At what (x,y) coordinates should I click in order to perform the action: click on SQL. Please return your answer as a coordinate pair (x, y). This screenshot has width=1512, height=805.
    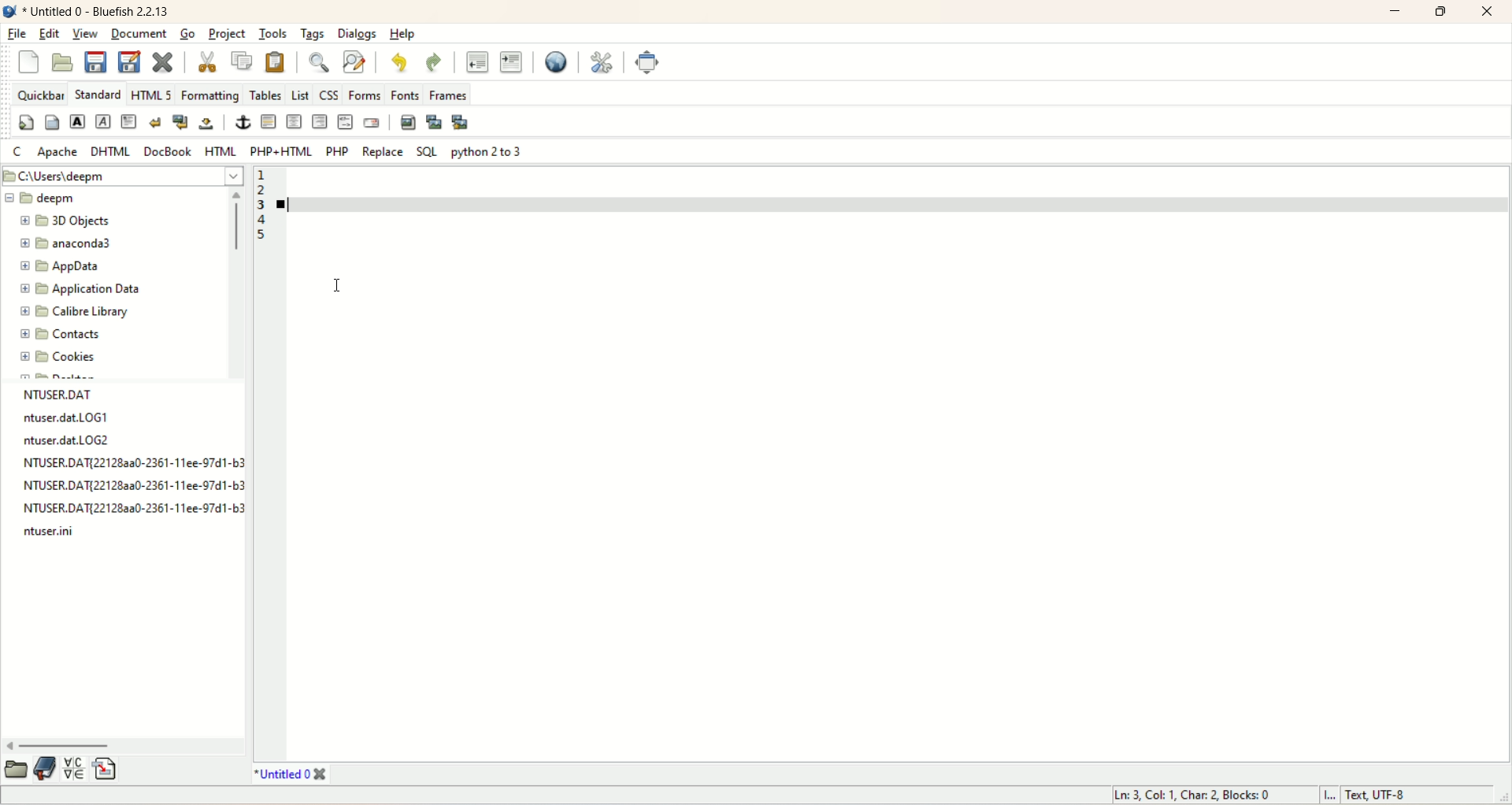
    Looking at the image, I should click on (427, 151).